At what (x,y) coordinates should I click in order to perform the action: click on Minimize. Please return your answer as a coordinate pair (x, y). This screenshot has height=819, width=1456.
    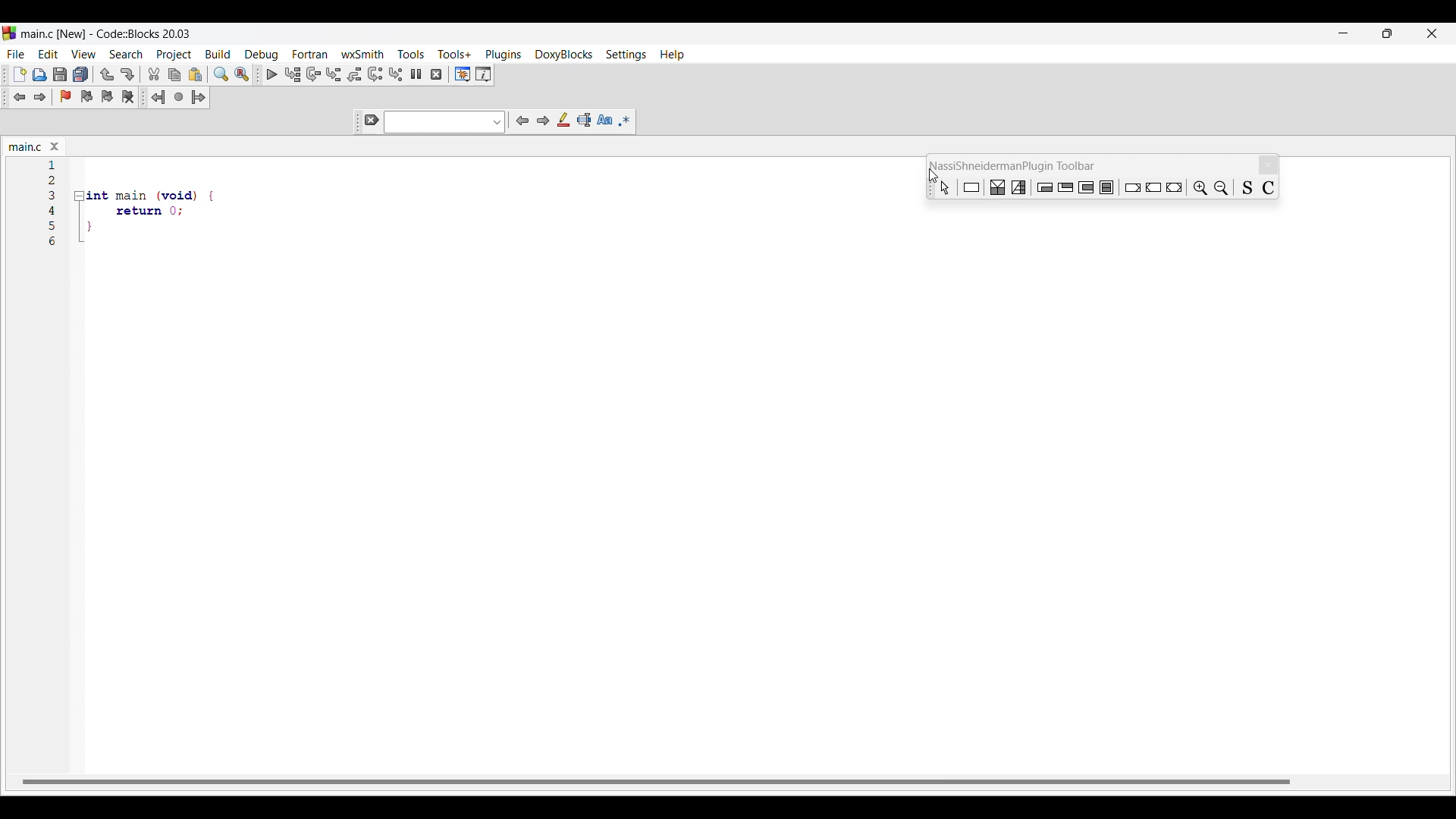
    Looking at the image, I should click on (1344, 33).